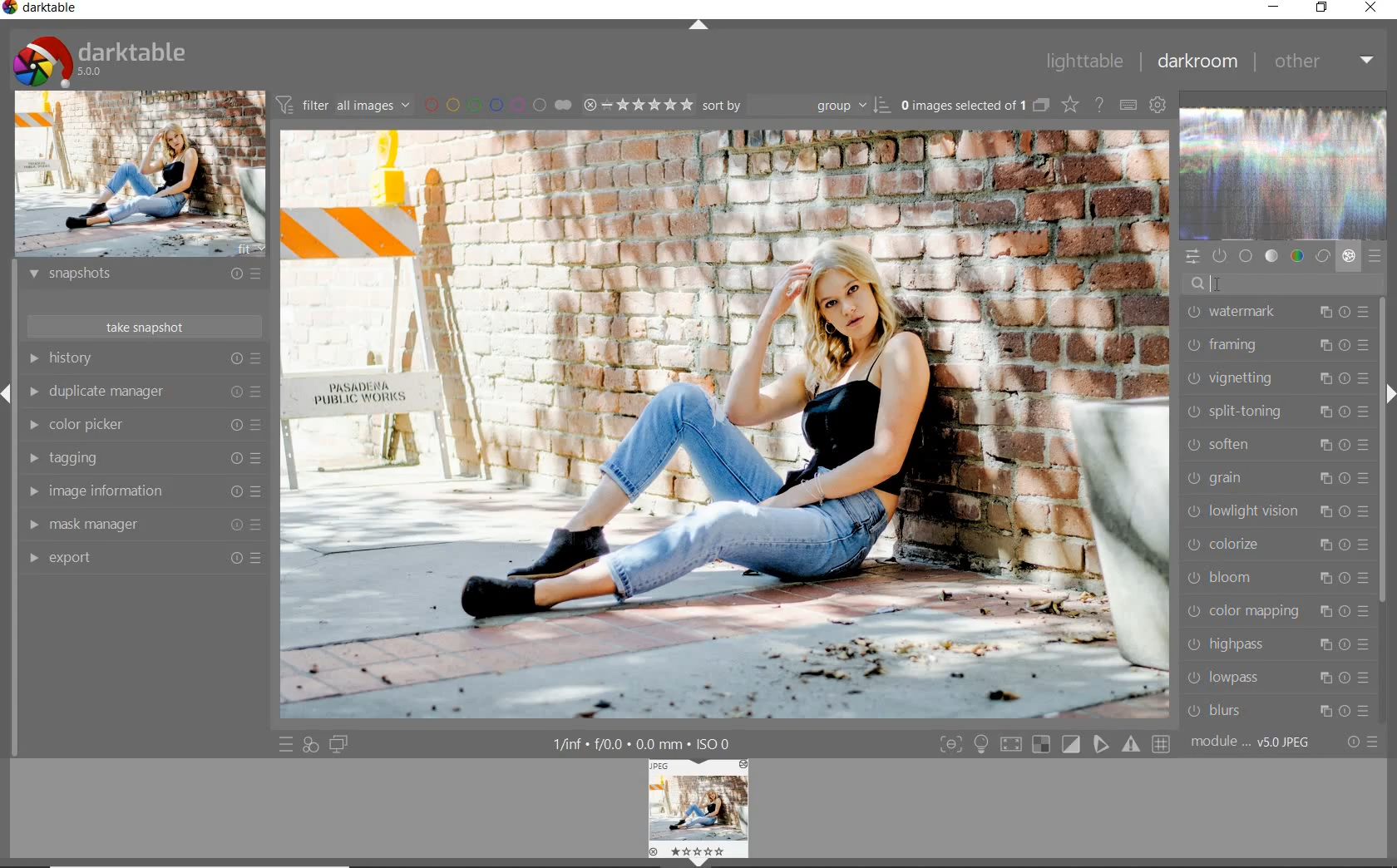 This screenshot has width=1397, height=868. What do you see at coordinates (1276, 379) in the screenshot?
I see `vignetting` at bounding box center [1276, 379].